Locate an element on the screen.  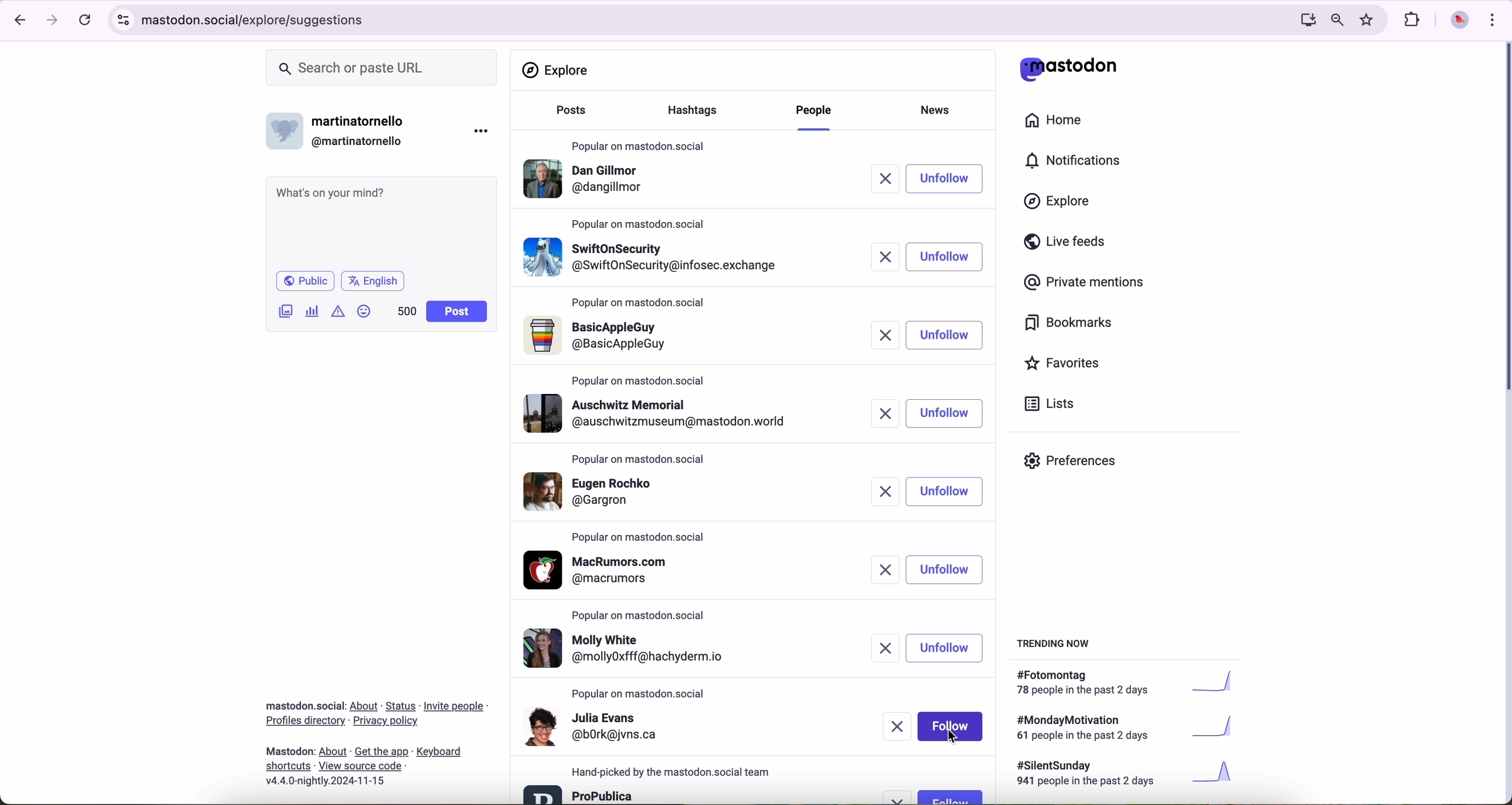
refresh page is located at coordinates (86, 21).